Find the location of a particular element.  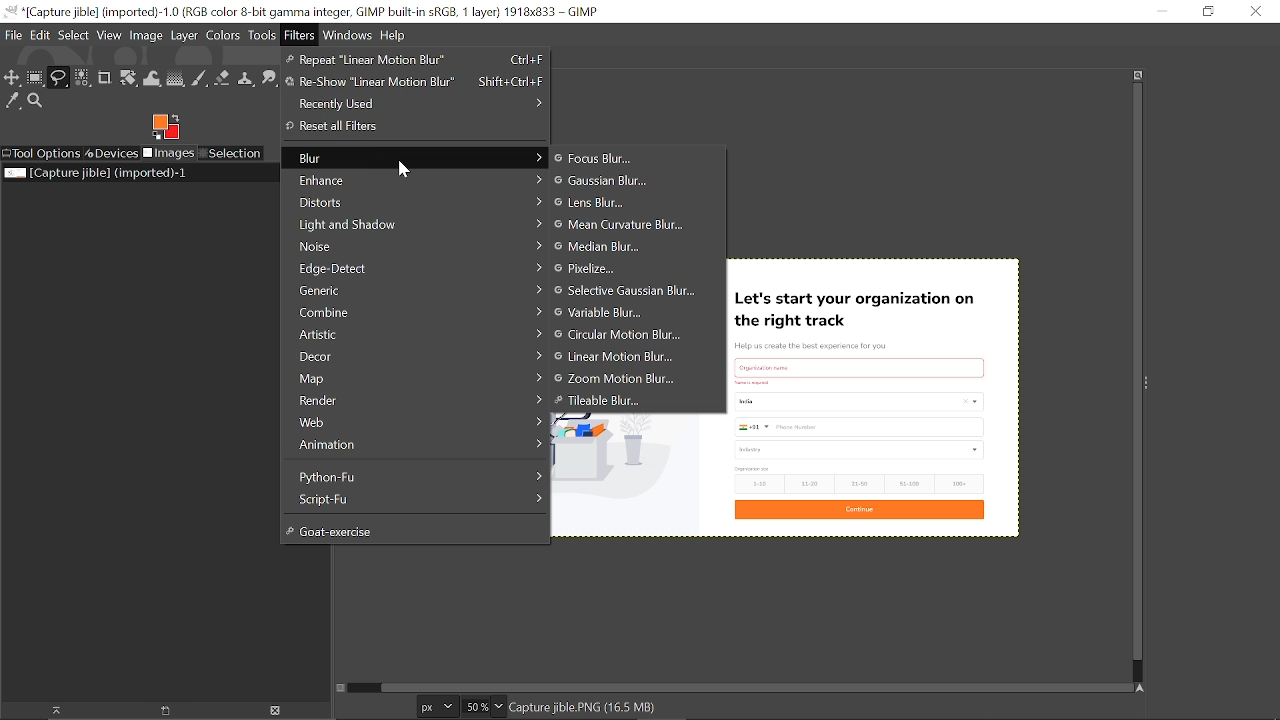

Distorts is located at coordinates (415, 202).